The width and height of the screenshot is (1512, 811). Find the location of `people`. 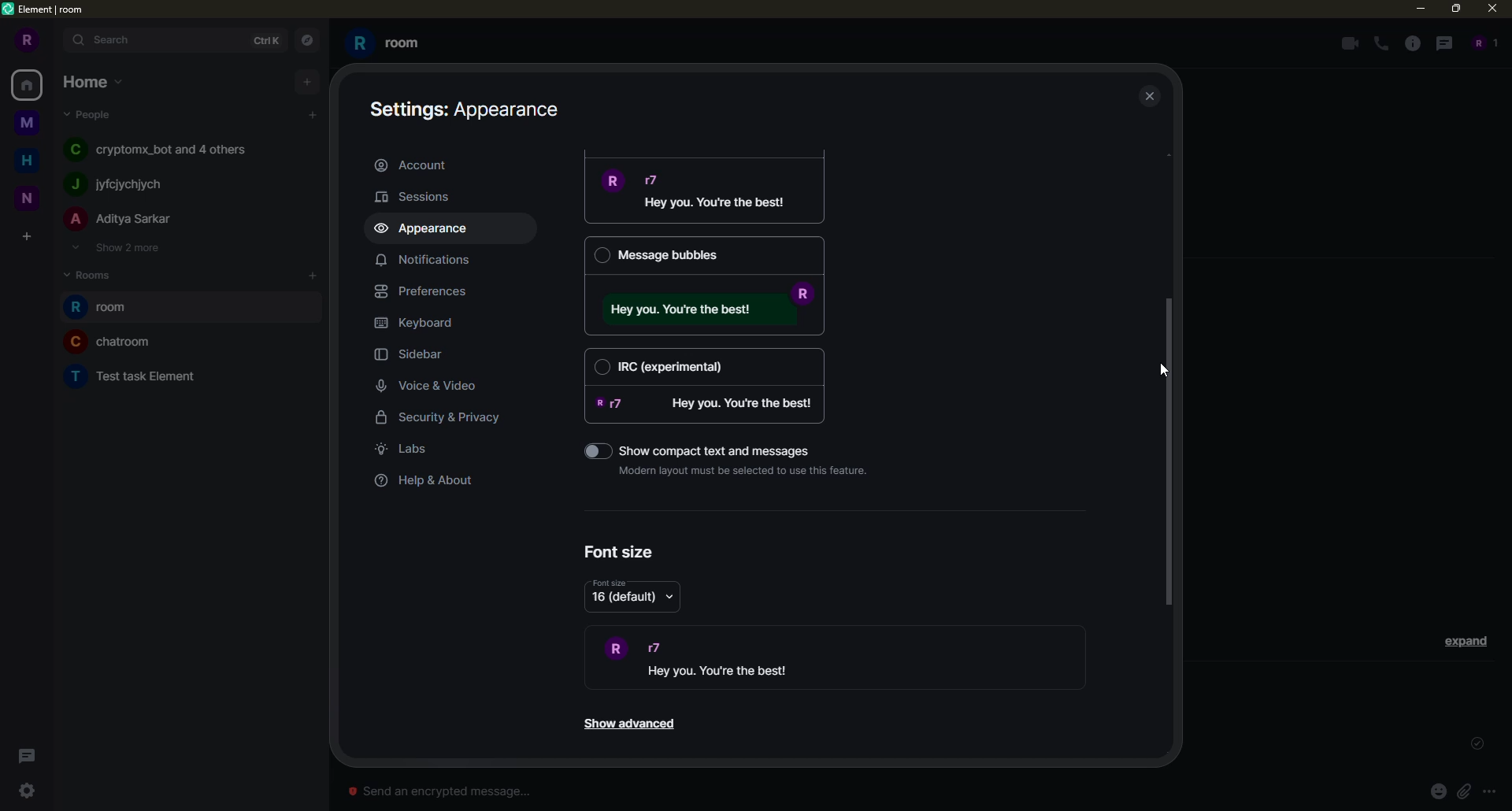

people is located at coordinates (163, 148).